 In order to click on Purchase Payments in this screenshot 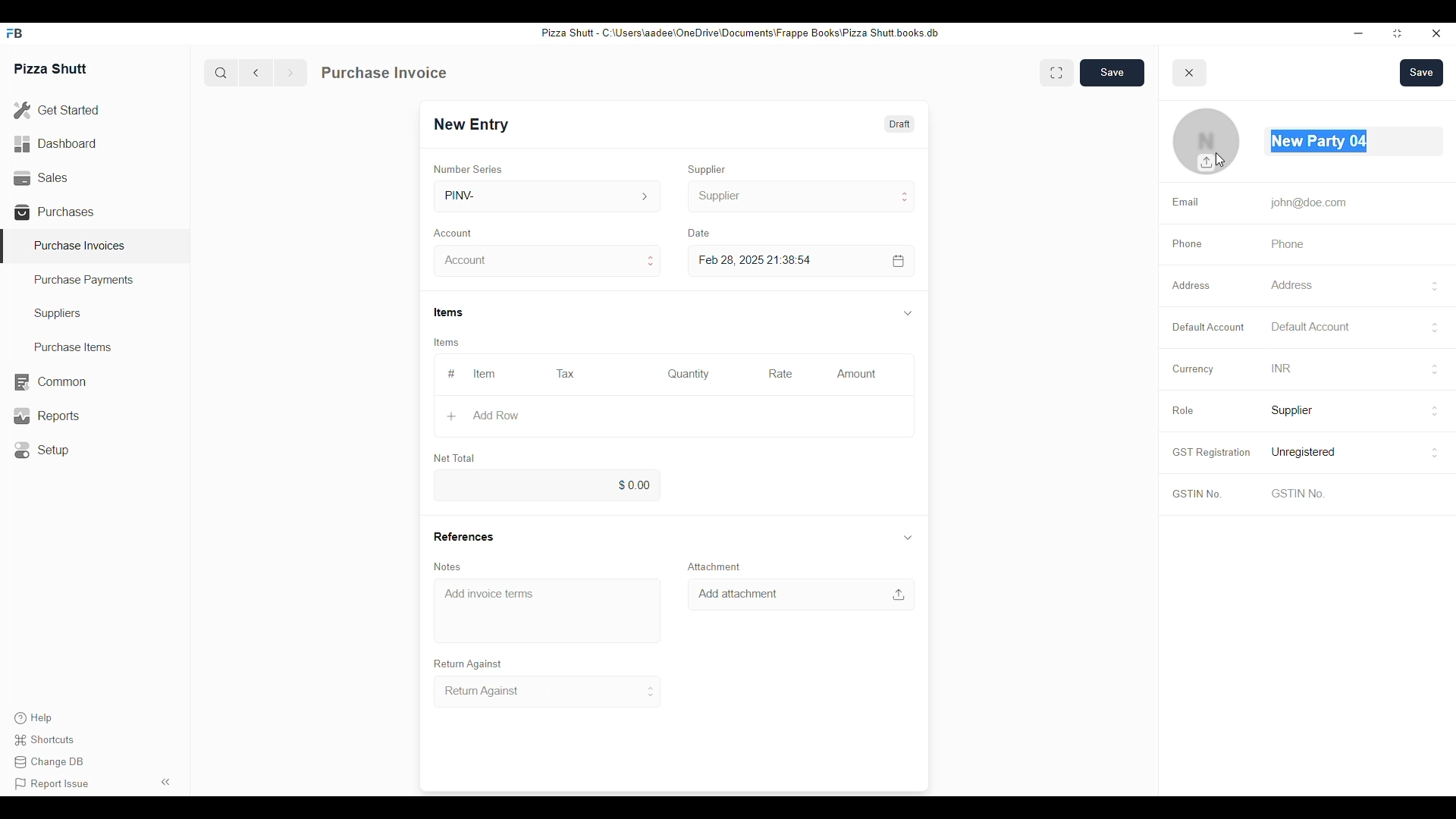, I will do `click(85, 281)`.